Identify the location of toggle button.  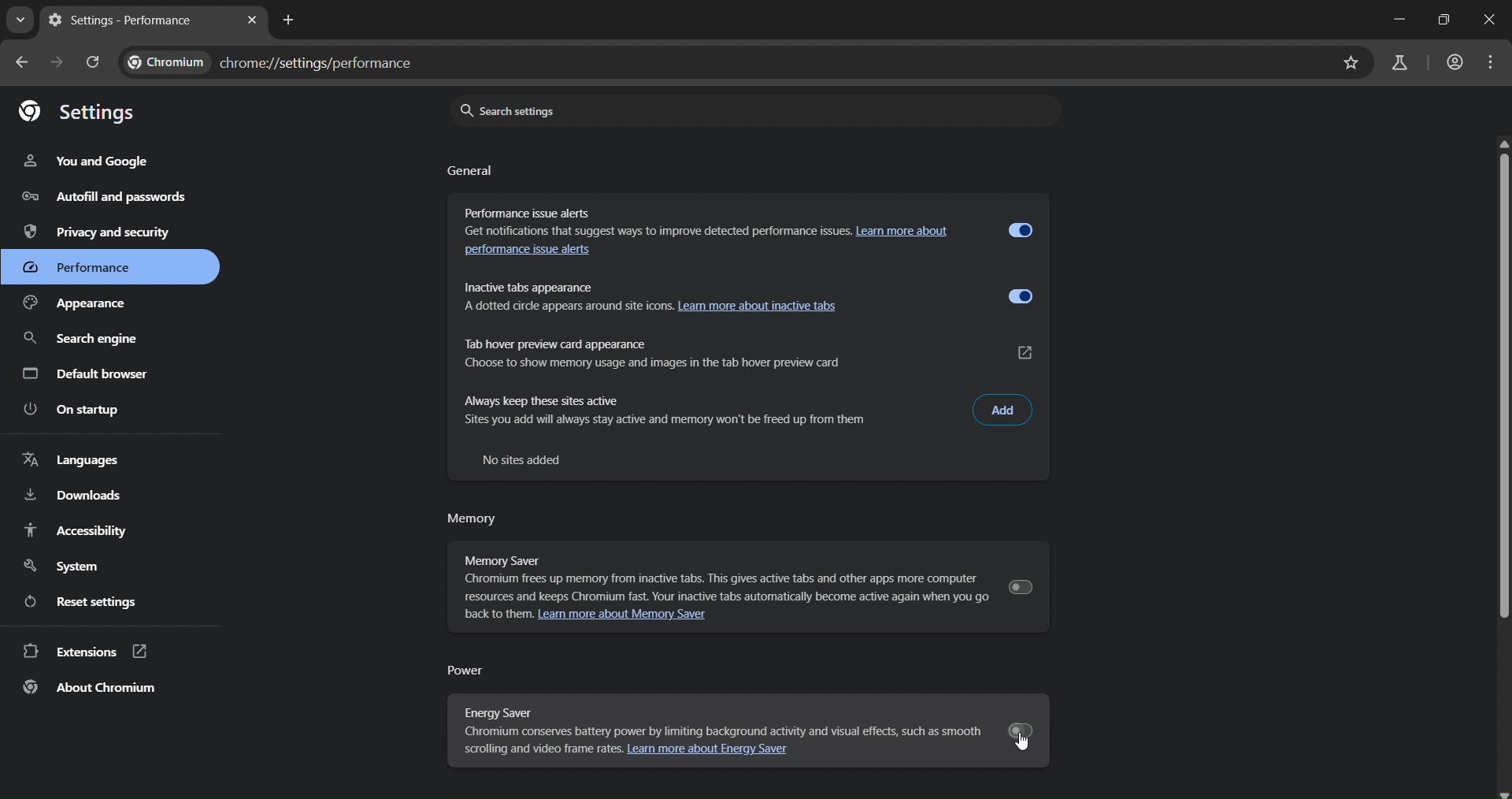
(1020, 586).